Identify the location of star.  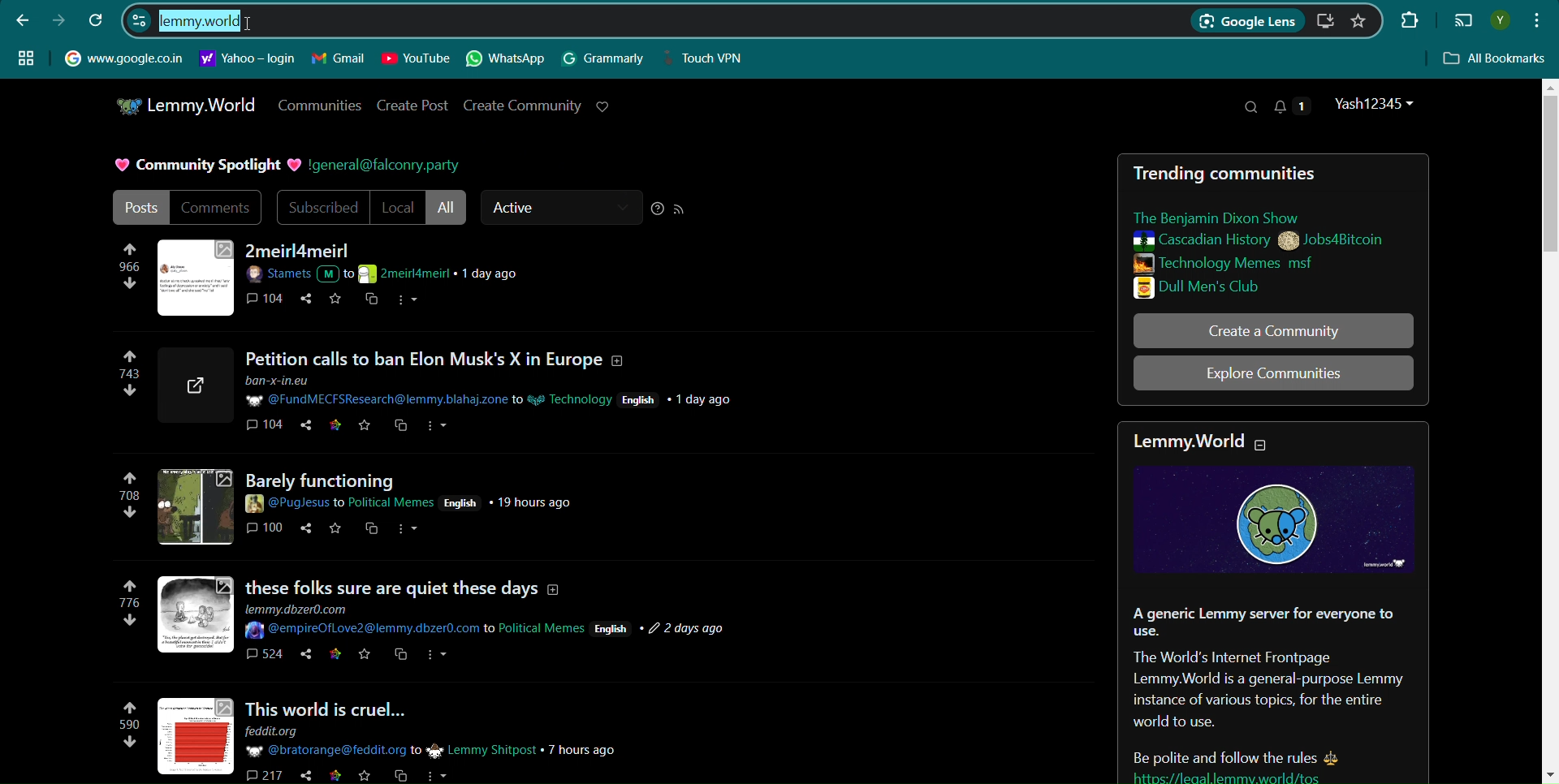
(337, 427).